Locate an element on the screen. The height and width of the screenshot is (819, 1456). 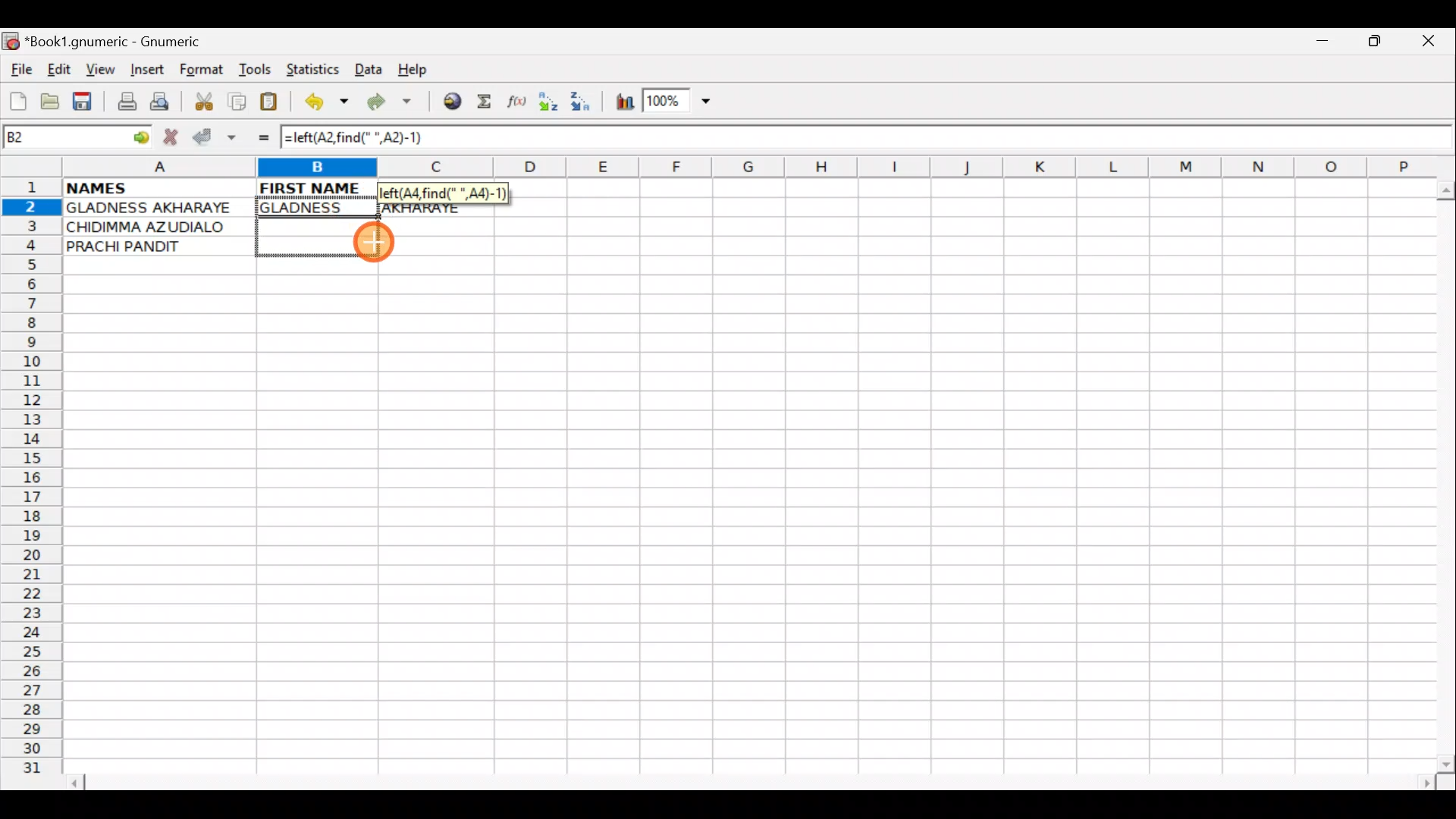
Accept change is located at coordinates (215, 137).